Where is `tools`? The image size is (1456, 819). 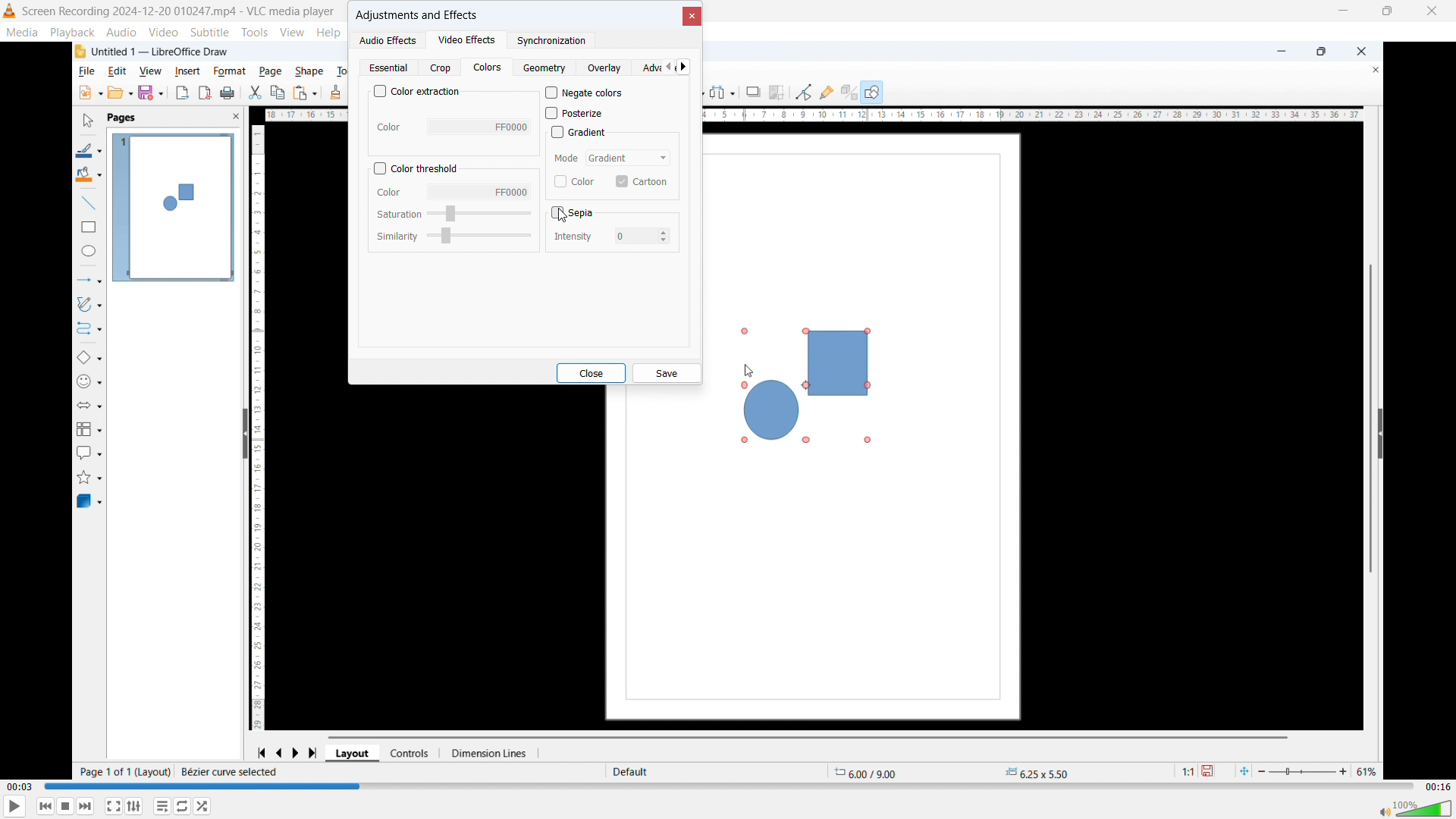 tools is located at coordinates (256, 32).